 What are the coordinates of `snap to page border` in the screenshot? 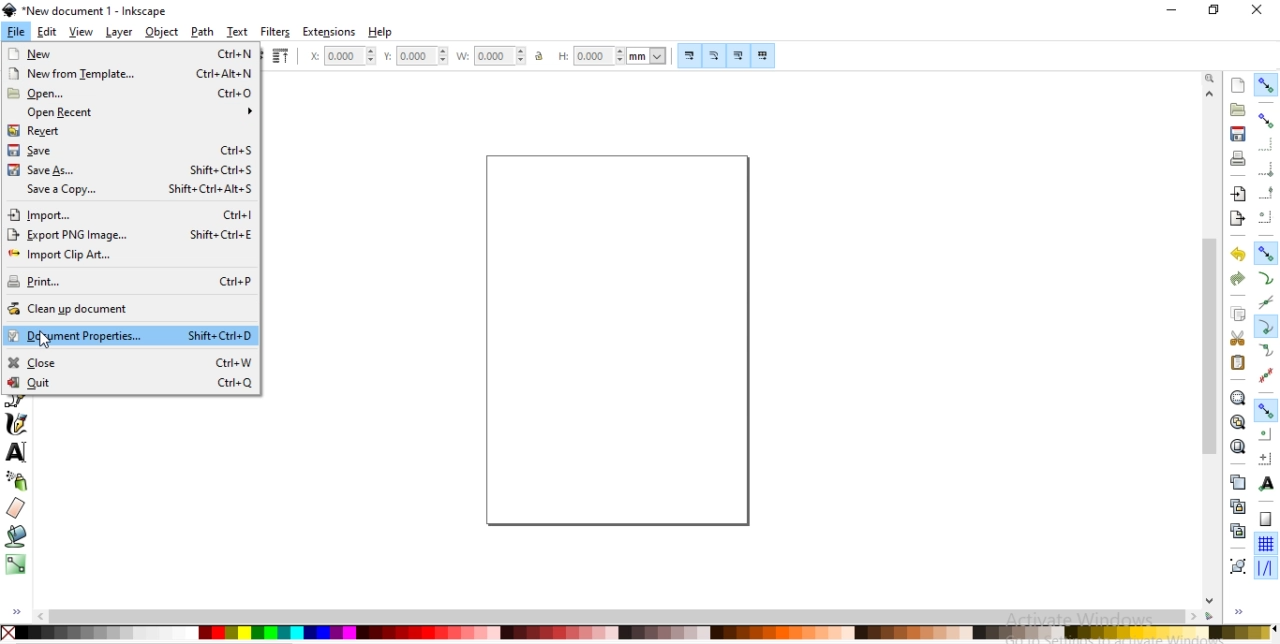 It's located at (1266, 520).